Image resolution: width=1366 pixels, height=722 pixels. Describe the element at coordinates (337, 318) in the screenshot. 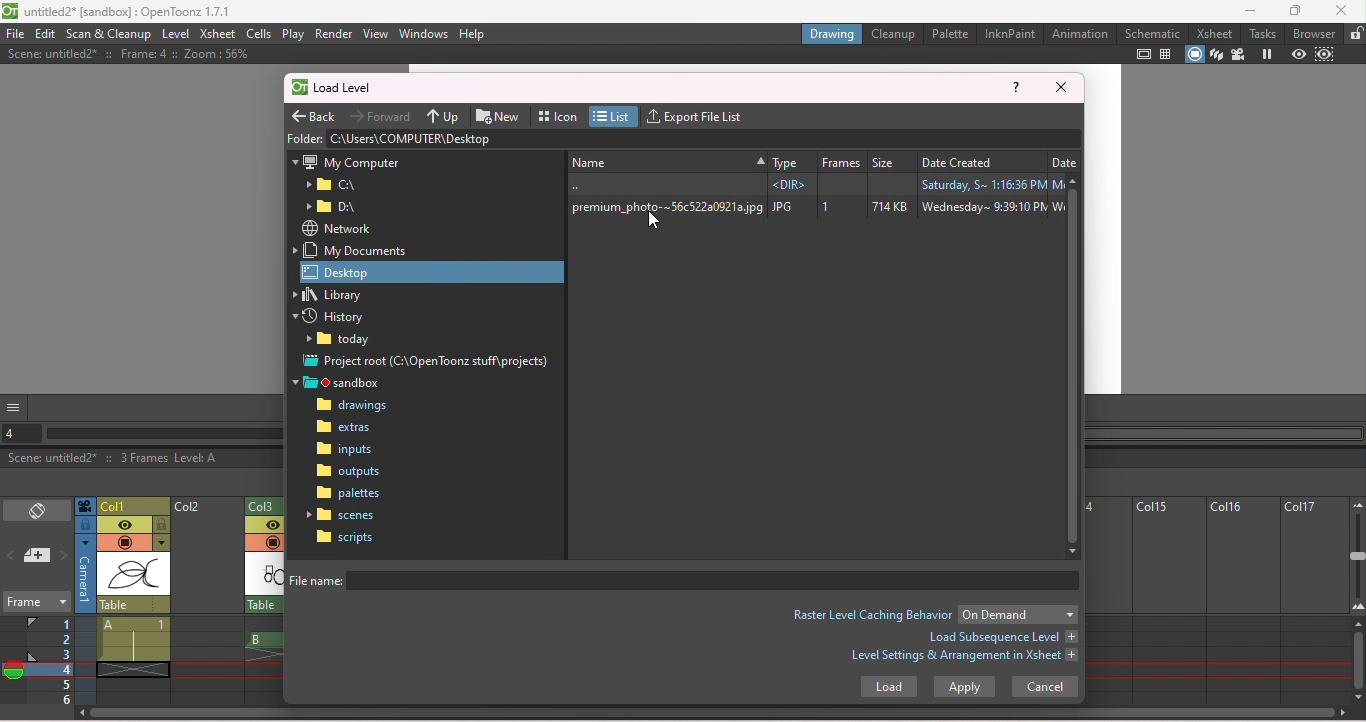

I see `History` at that location.